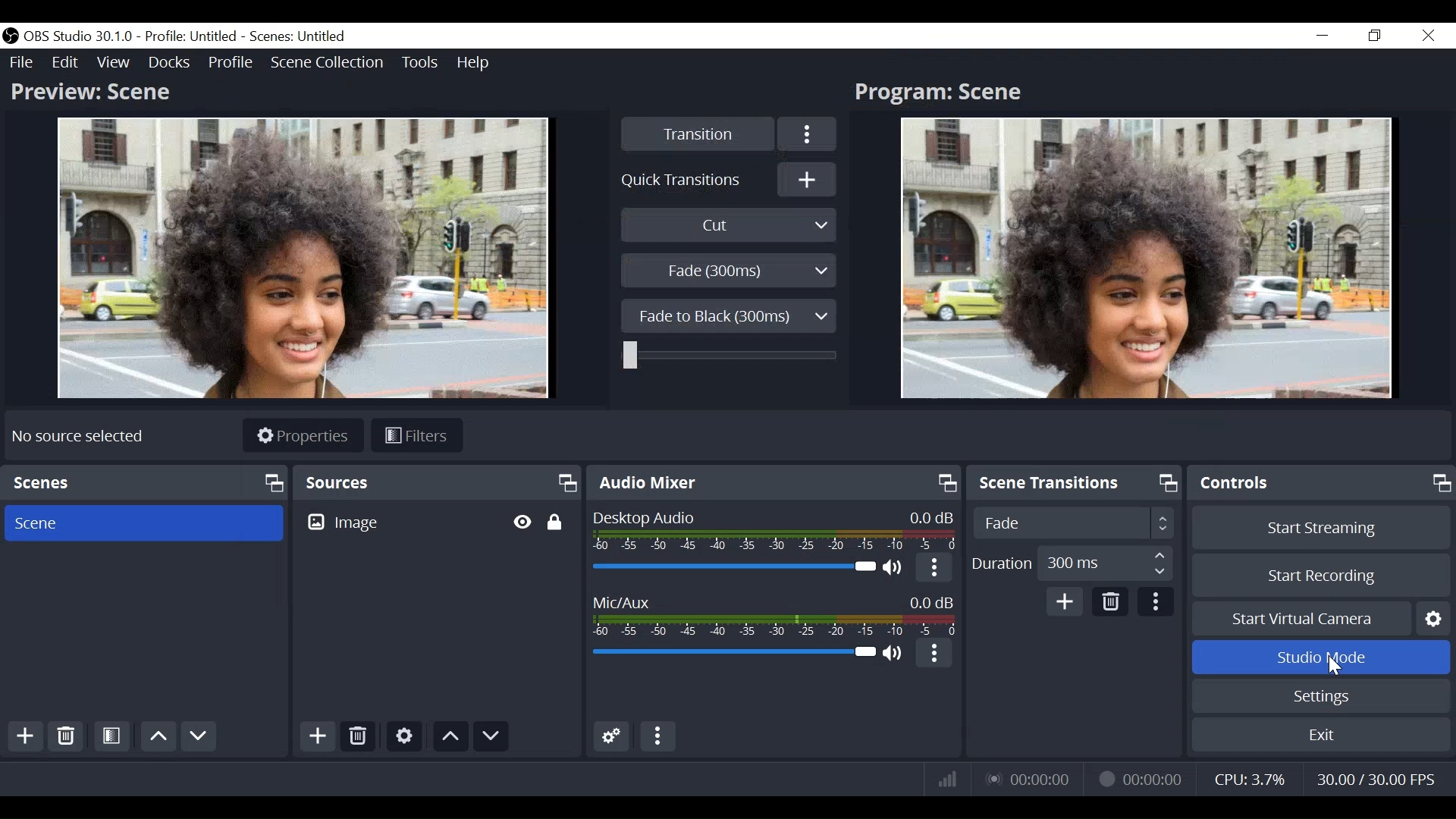 The image size is (1456, 819). I want to click on Toggle Hide/Display, so click(522, 521).